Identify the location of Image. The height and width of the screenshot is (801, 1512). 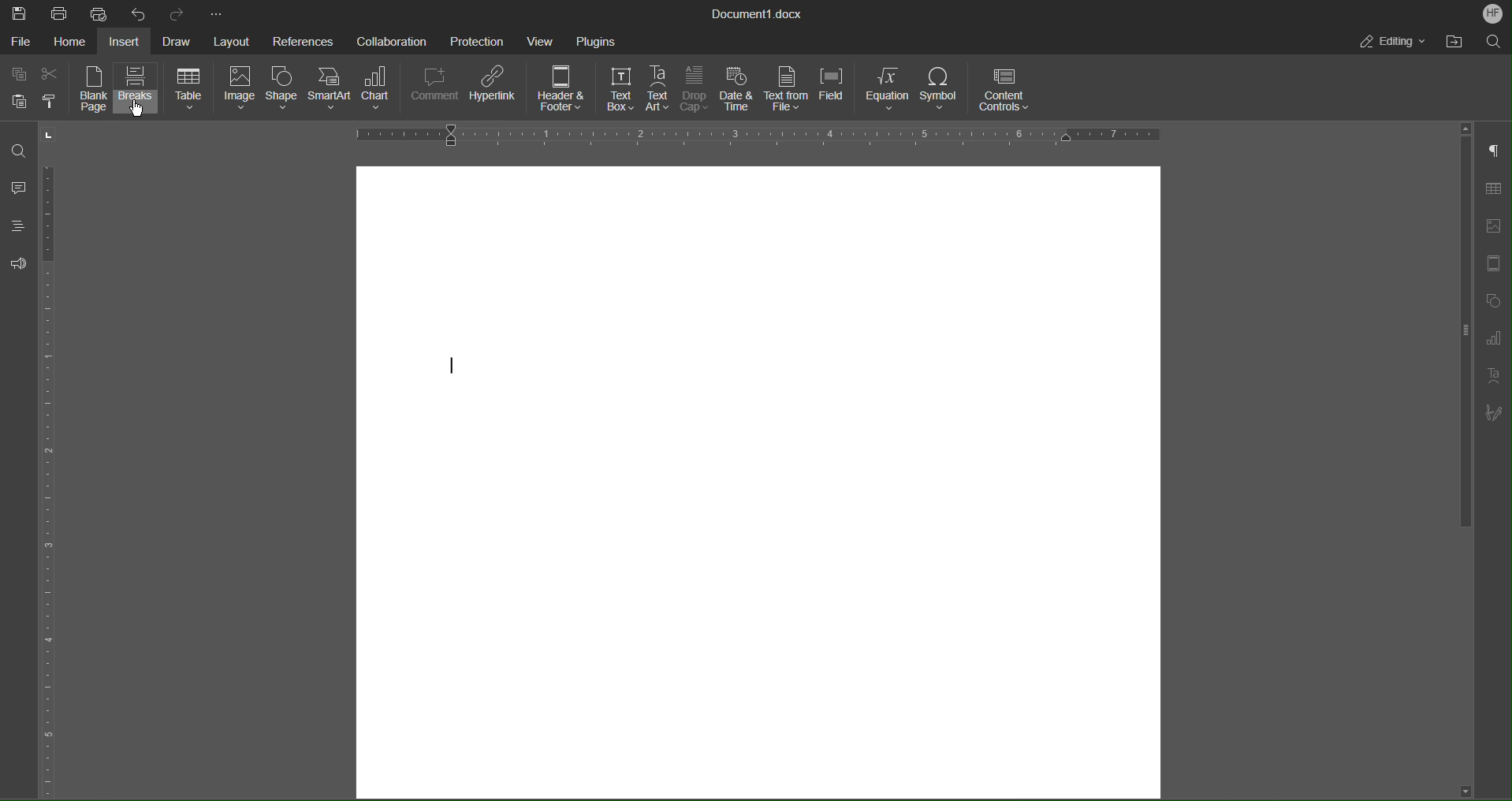
(239, 90).